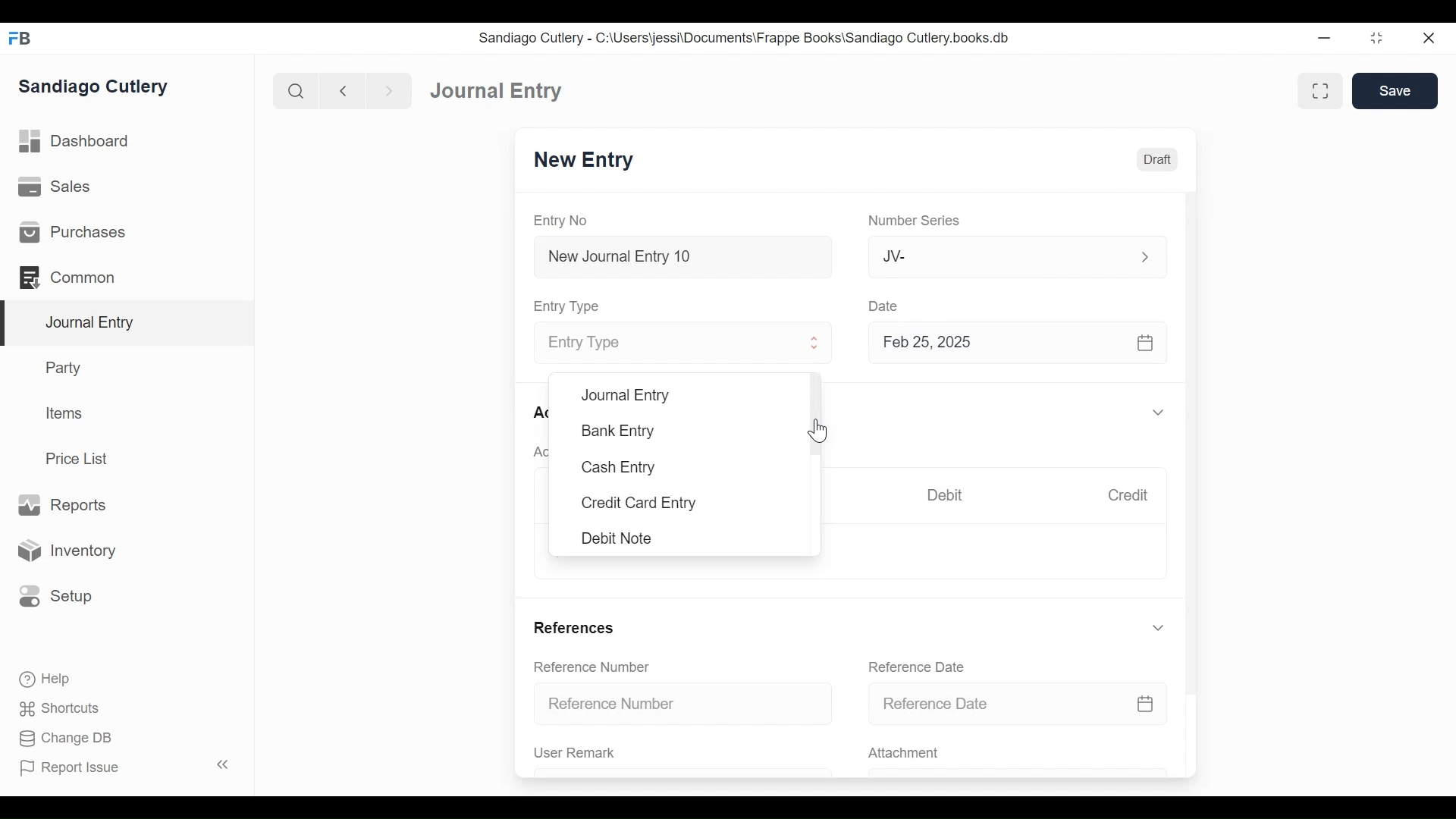 The width and height of the screenshot is (1456, 819). Describe the element at coordinates (619, 431) in the screenshot. I see `Bank Entry` at that location.